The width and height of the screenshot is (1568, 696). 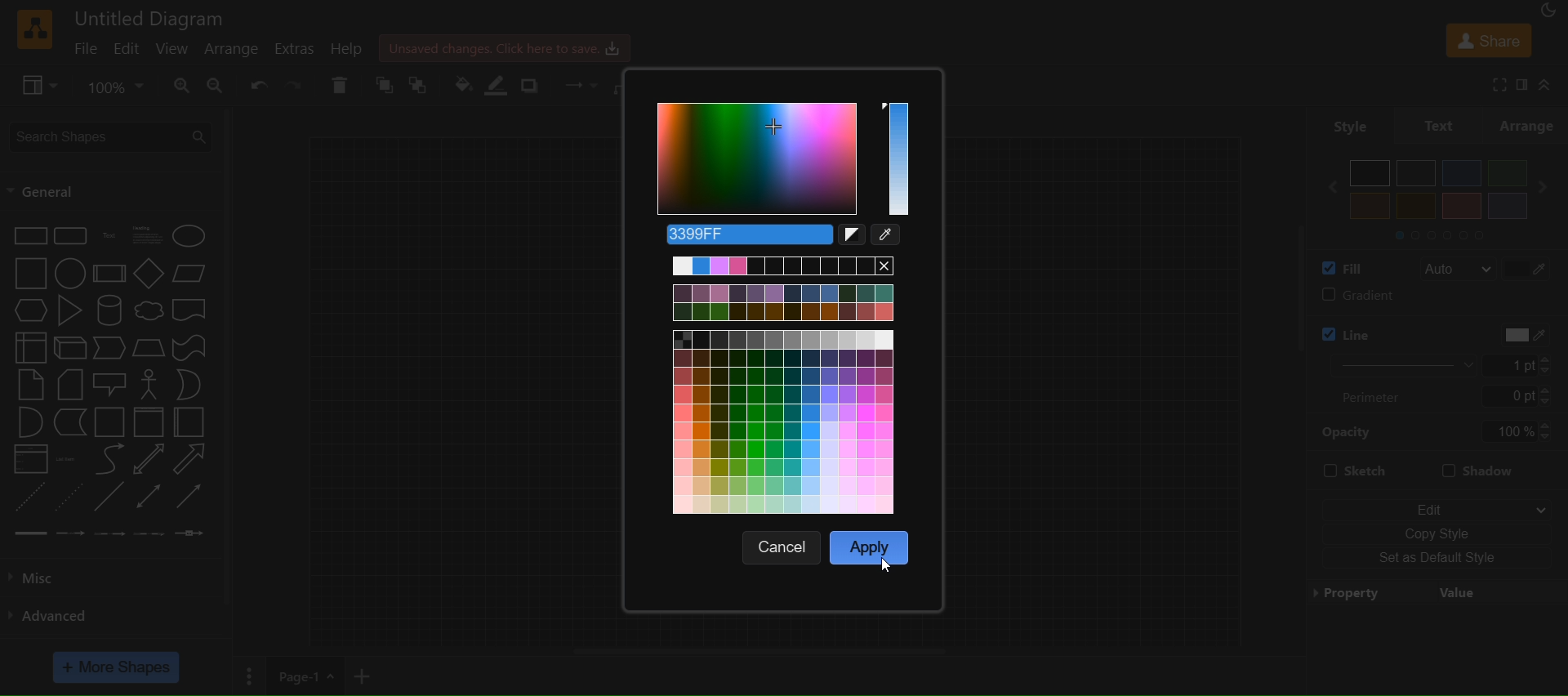 What do you see at coordinates (29, 346) in the screenshot?
I see `internal storage` at bounding box center [29, 346].